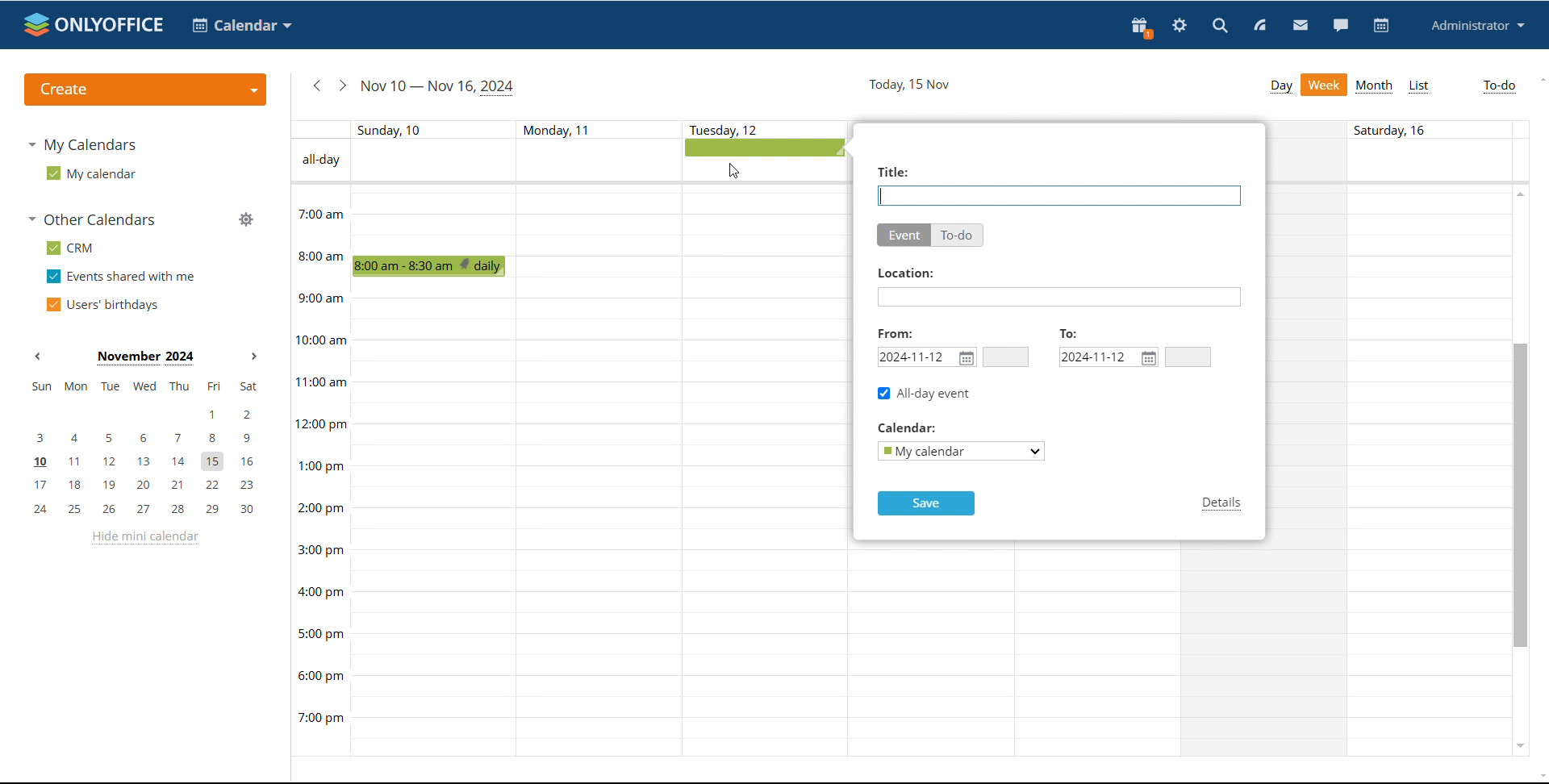 The width and height of the screenshot is (1549, 784). Describe the element at coordinates (907, 173) in the screenshot. I see `` at that location.